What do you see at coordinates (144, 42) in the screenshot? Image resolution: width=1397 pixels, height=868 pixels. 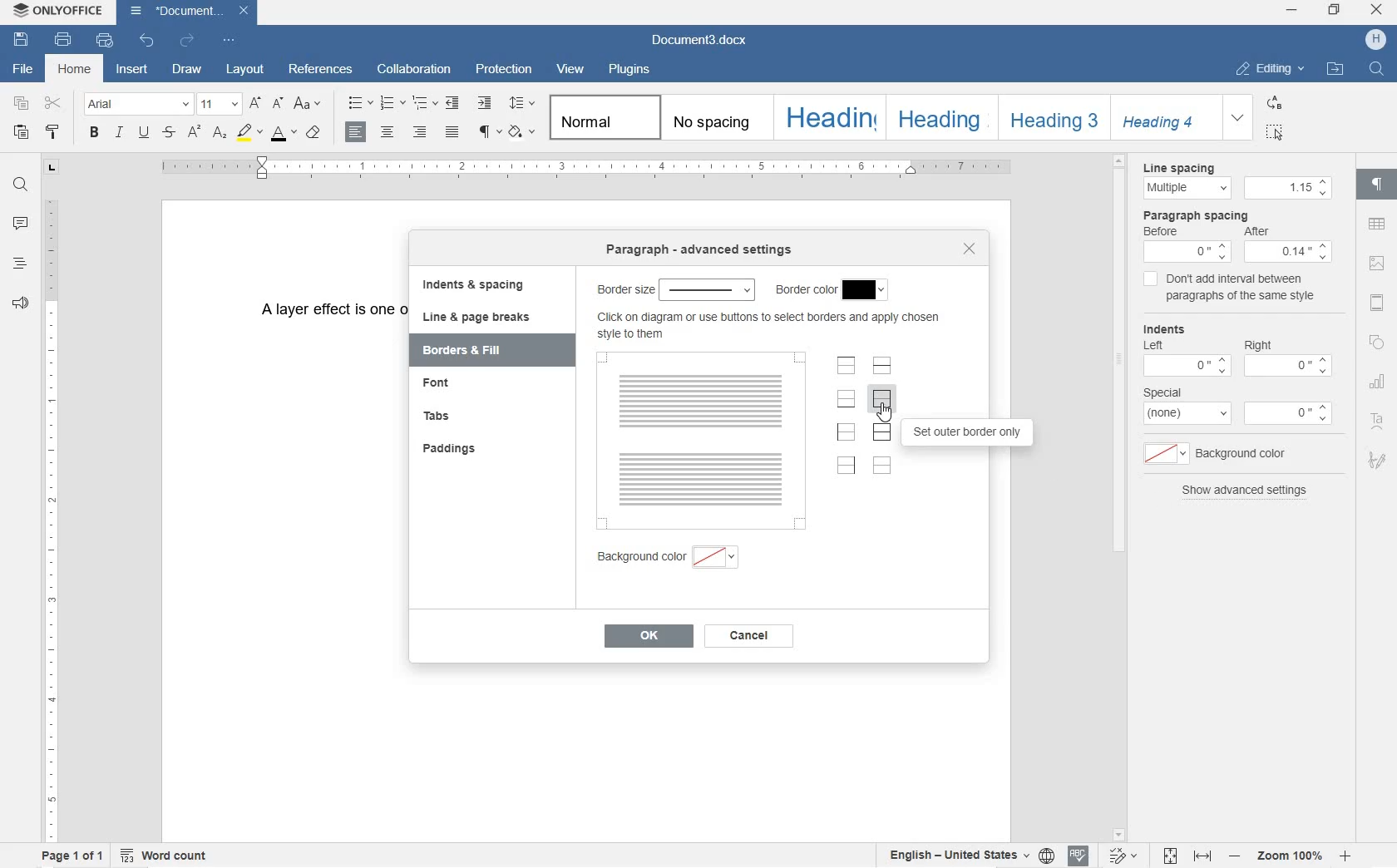 I see `UNDO` at bounding box center [144, 42].